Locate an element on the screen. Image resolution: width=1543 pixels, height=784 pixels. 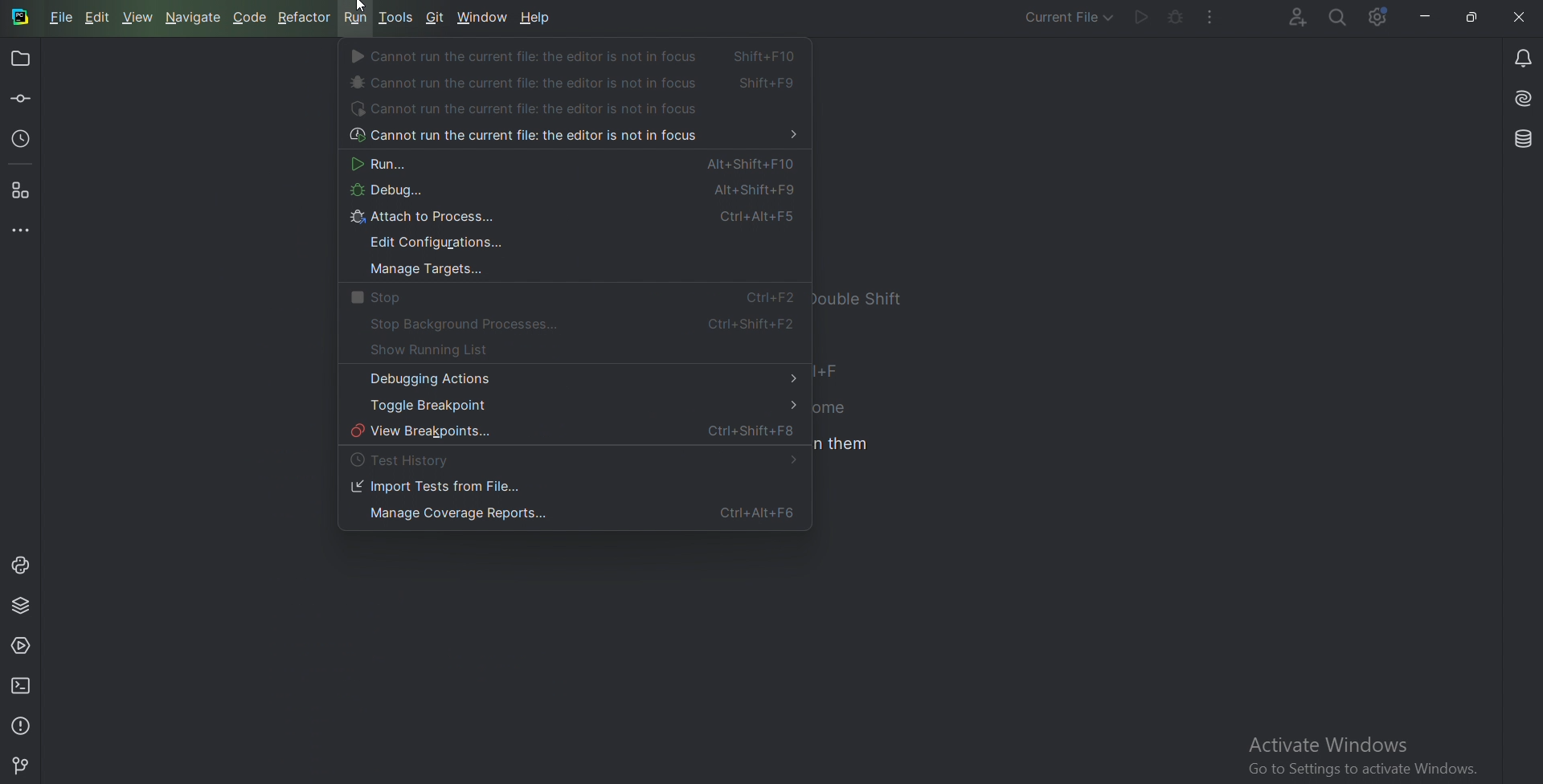
Structure is located at coordinates (23, 192).